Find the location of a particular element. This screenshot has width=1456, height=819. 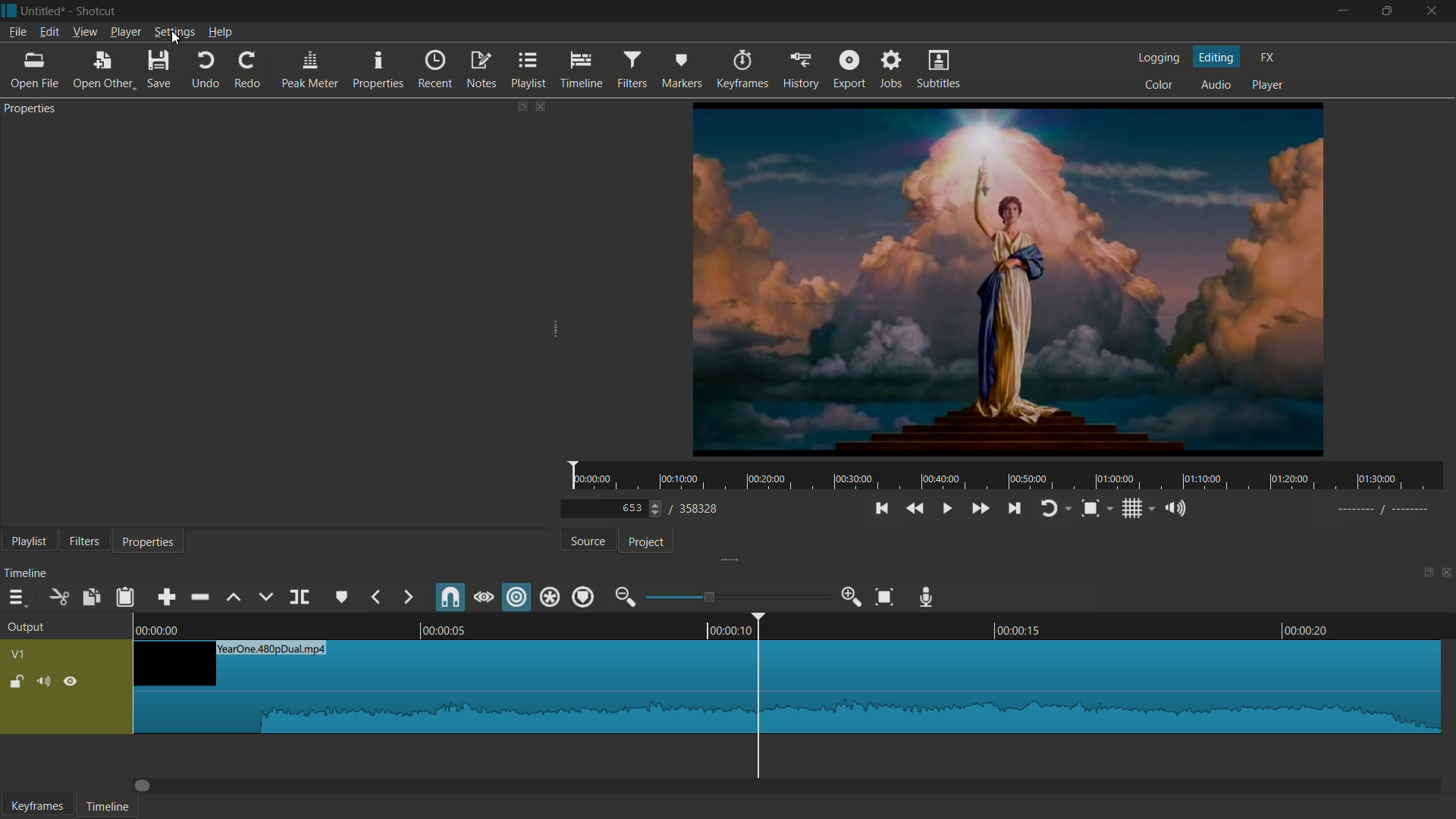

skip to the next point is located at coordinates (1013, 508).